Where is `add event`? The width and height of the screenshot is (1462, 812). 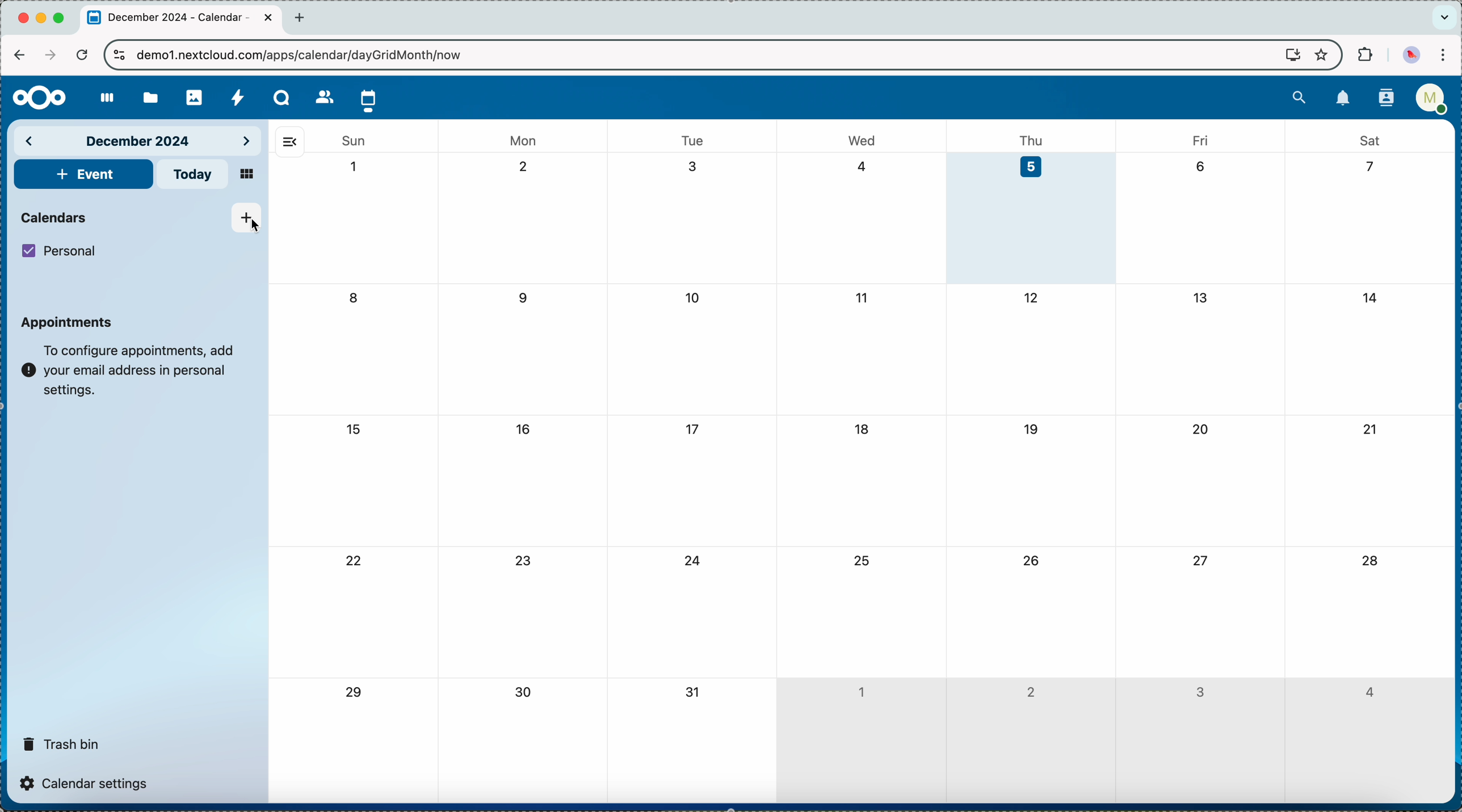 add event is located at coordinates (83, 174).